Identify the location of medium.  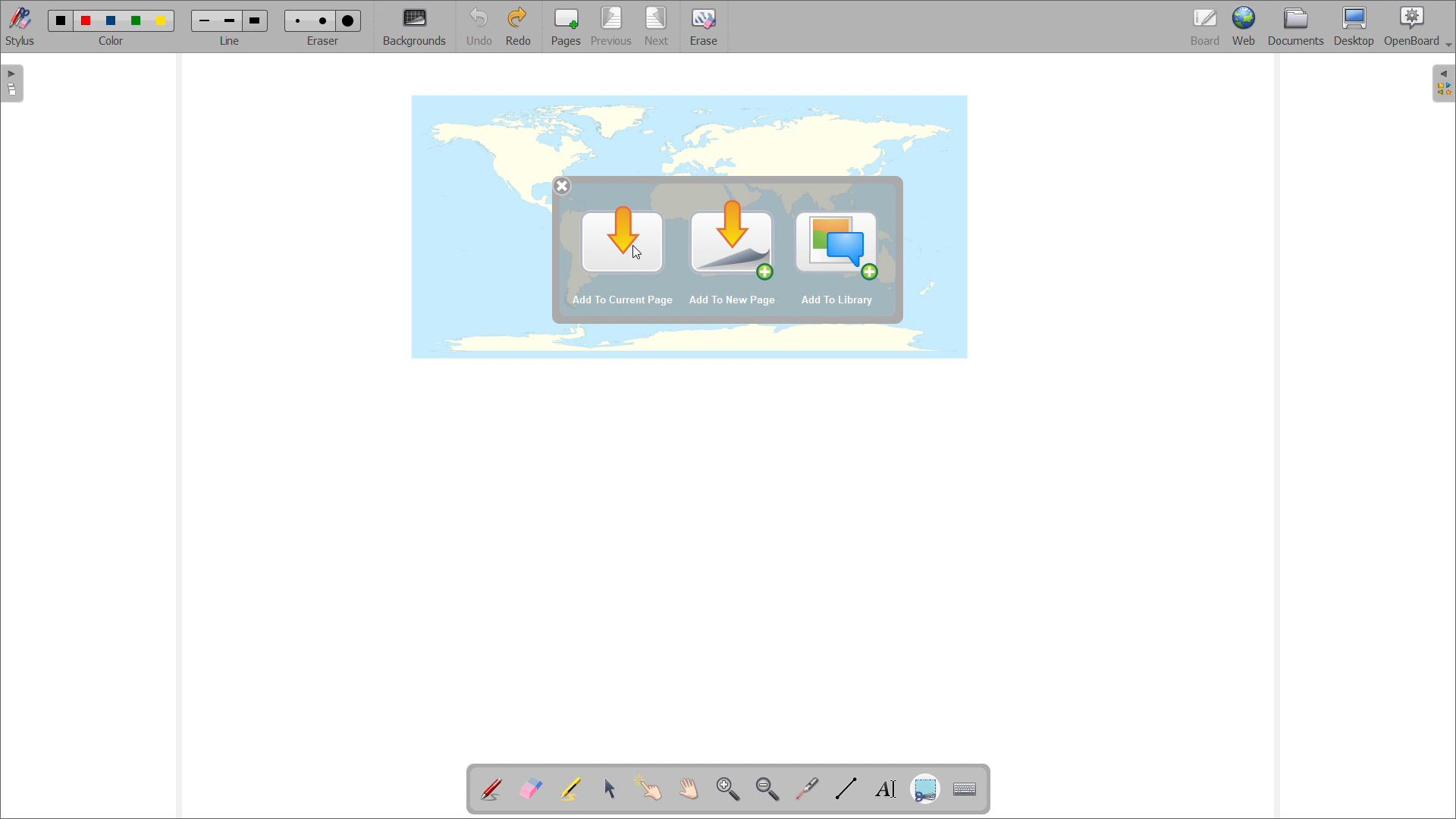
(325, 20).